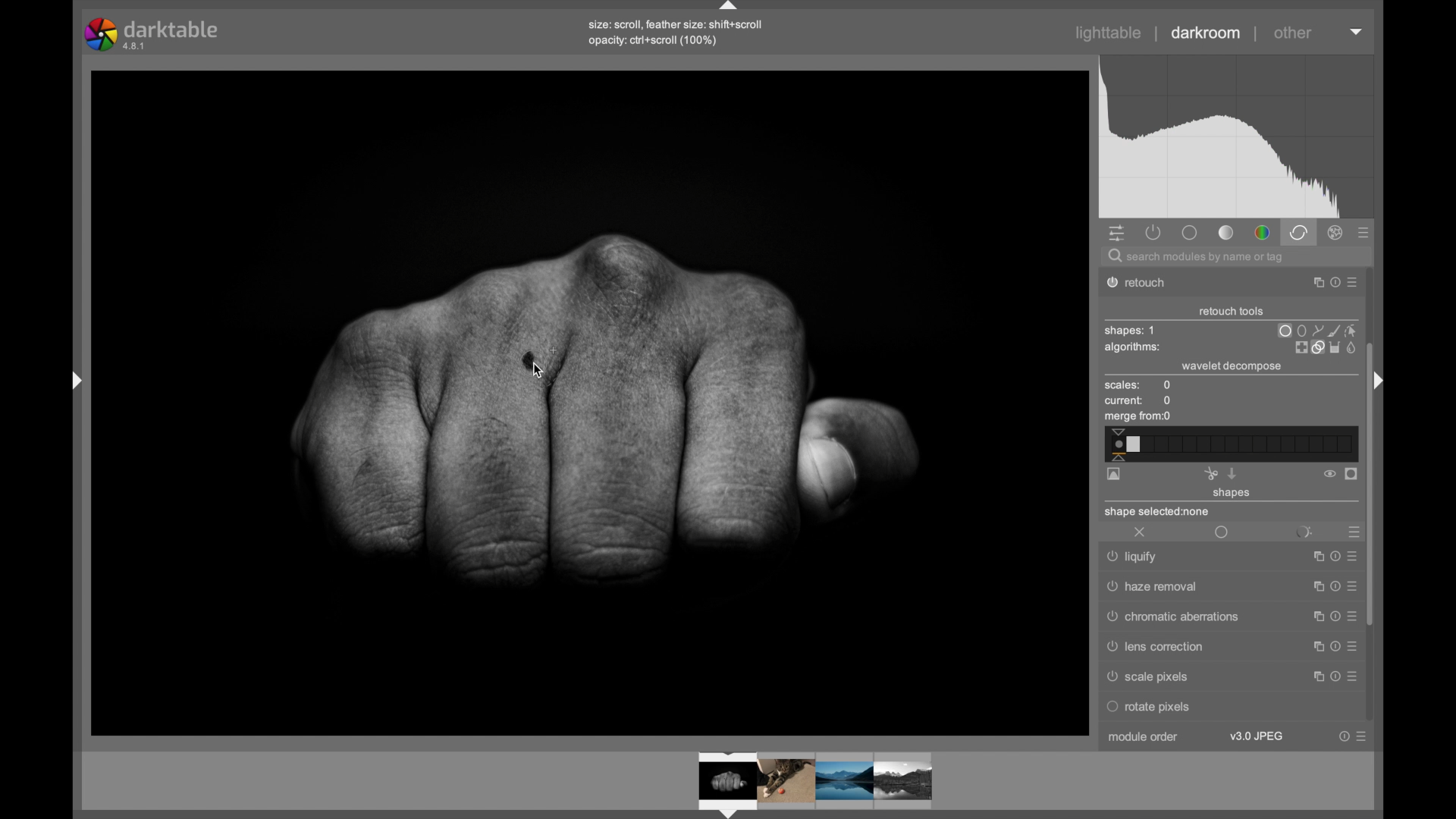  Describe the element at coordinates (1319, 330) in the screenshot. I see `draw mask options` at that location.